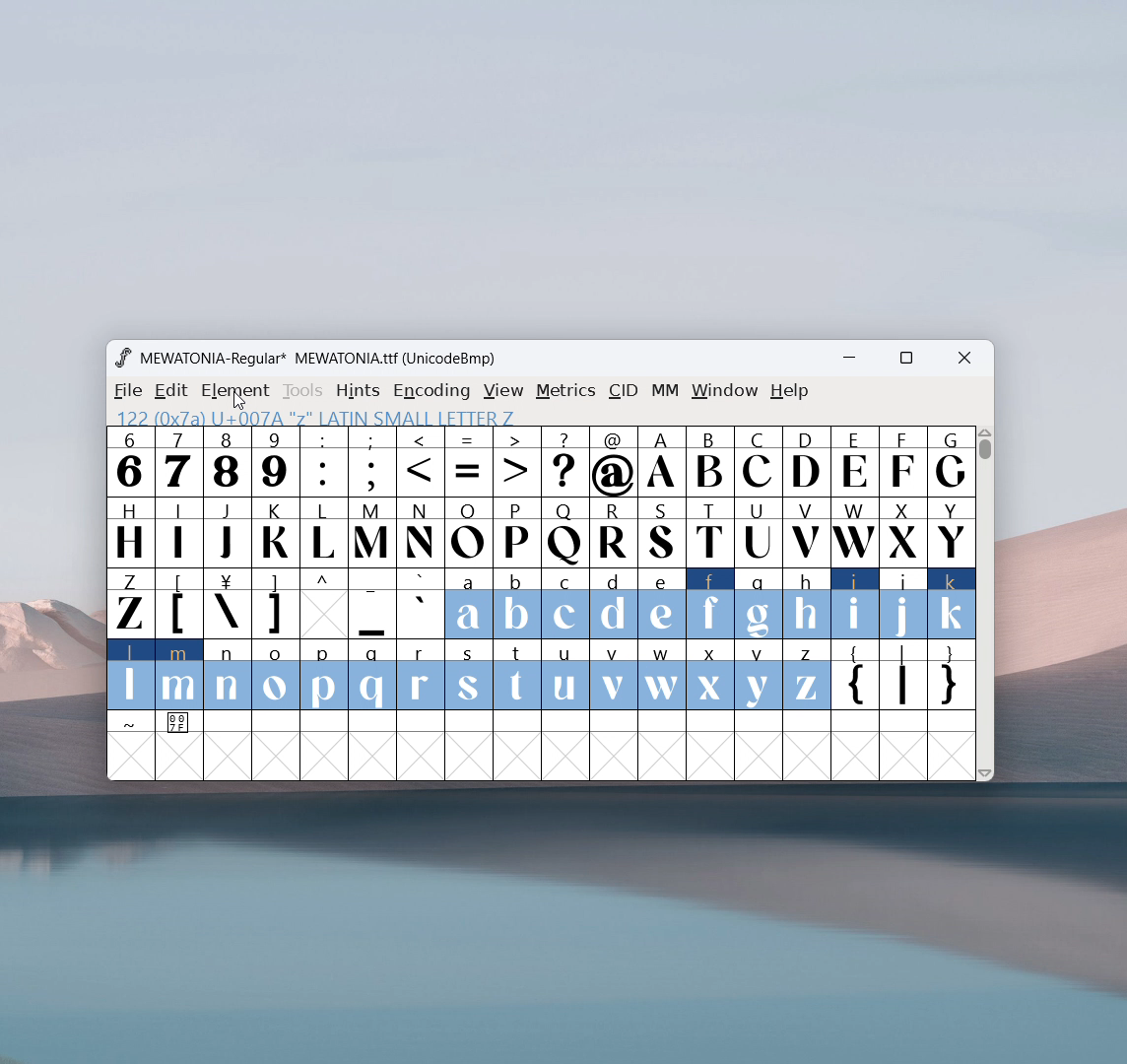  What do you see at coordinates (275, 461) in the screenshot?
I see `9` at bounding box center [275, 461].